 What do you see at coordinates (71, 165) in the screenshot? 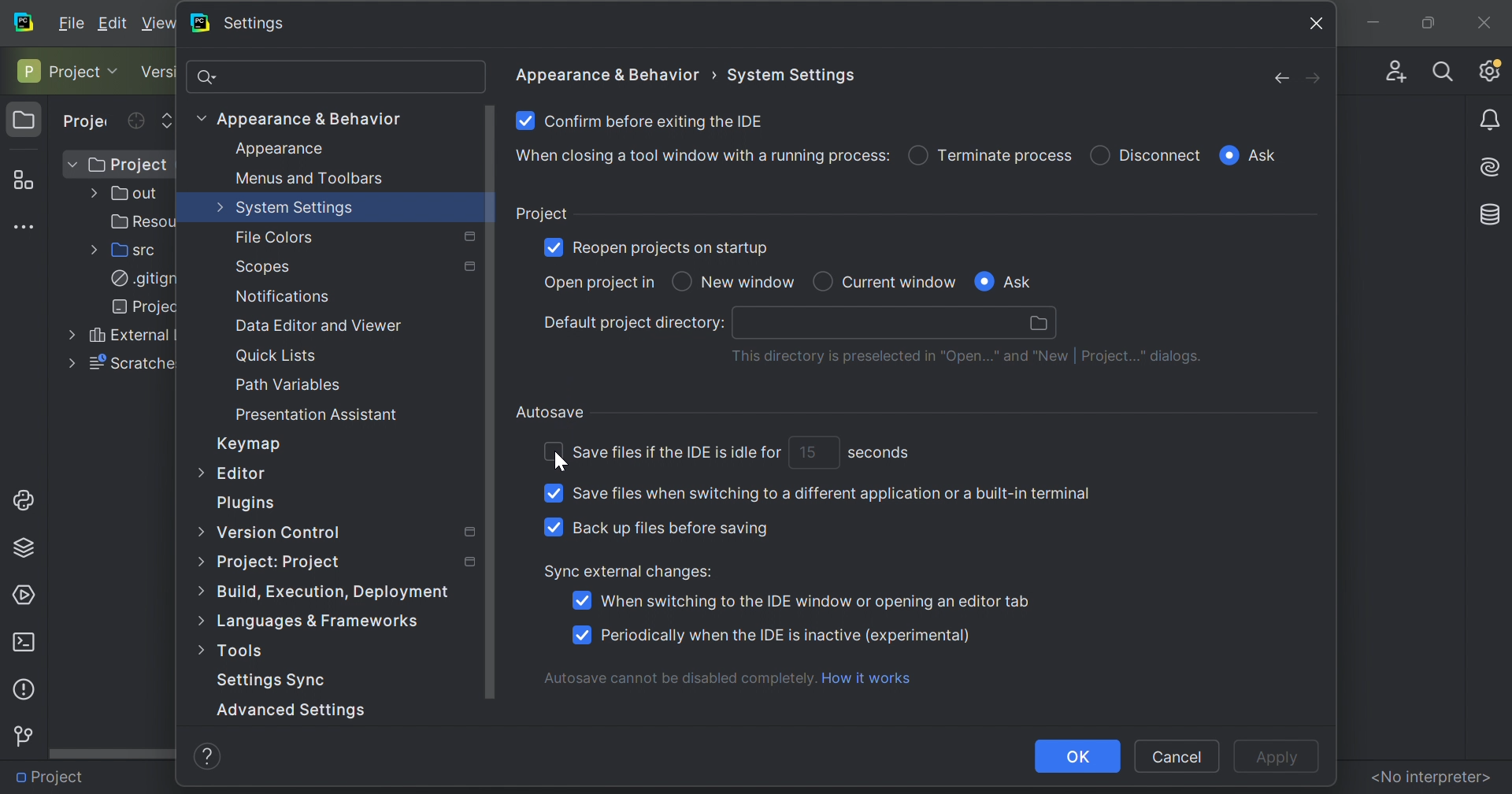
I see `Drop Down` at bounding box center [71, 165].